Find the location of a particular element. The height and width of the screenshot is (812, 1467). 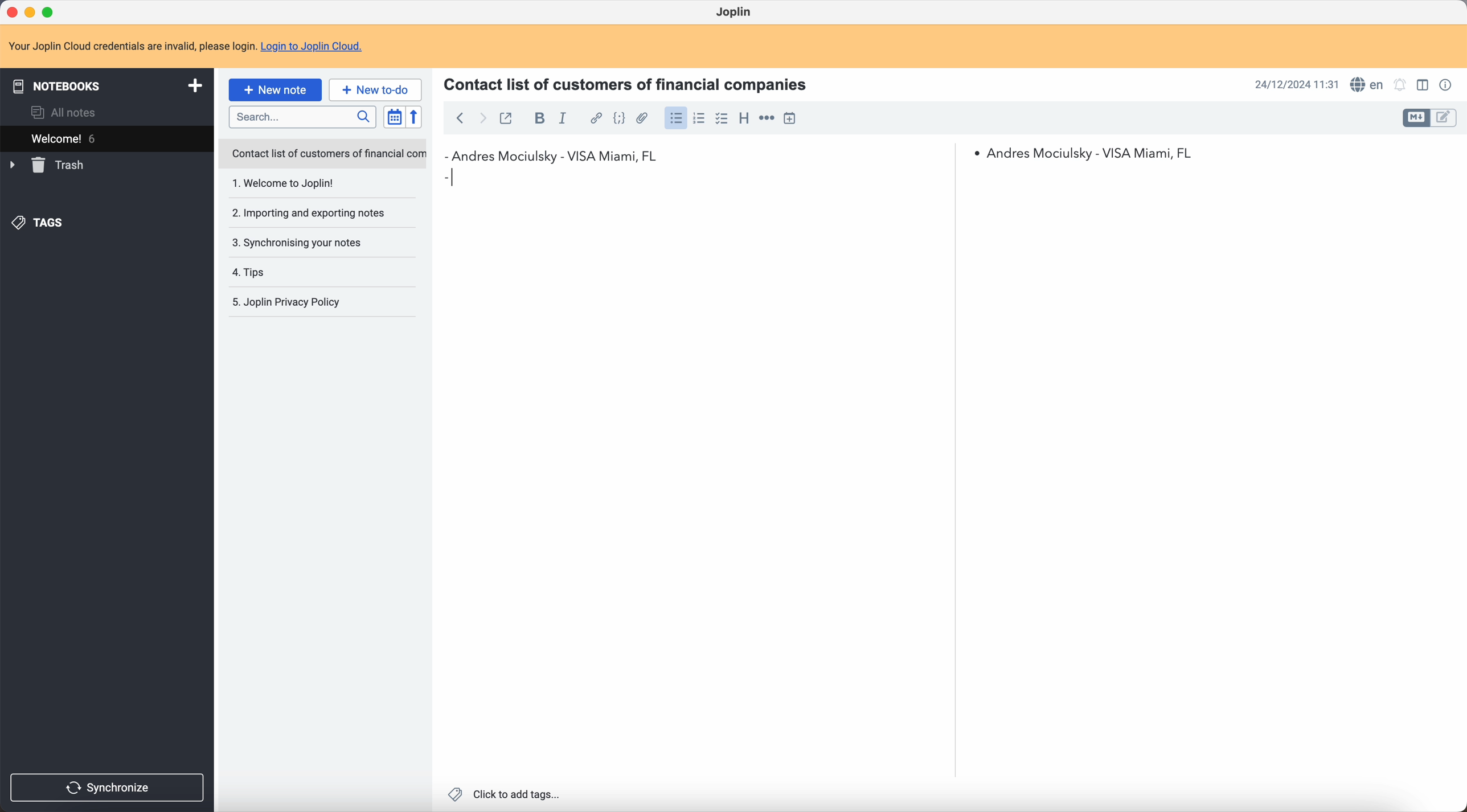

2. Importing and exporting notes is located at coordinates (312, 214).